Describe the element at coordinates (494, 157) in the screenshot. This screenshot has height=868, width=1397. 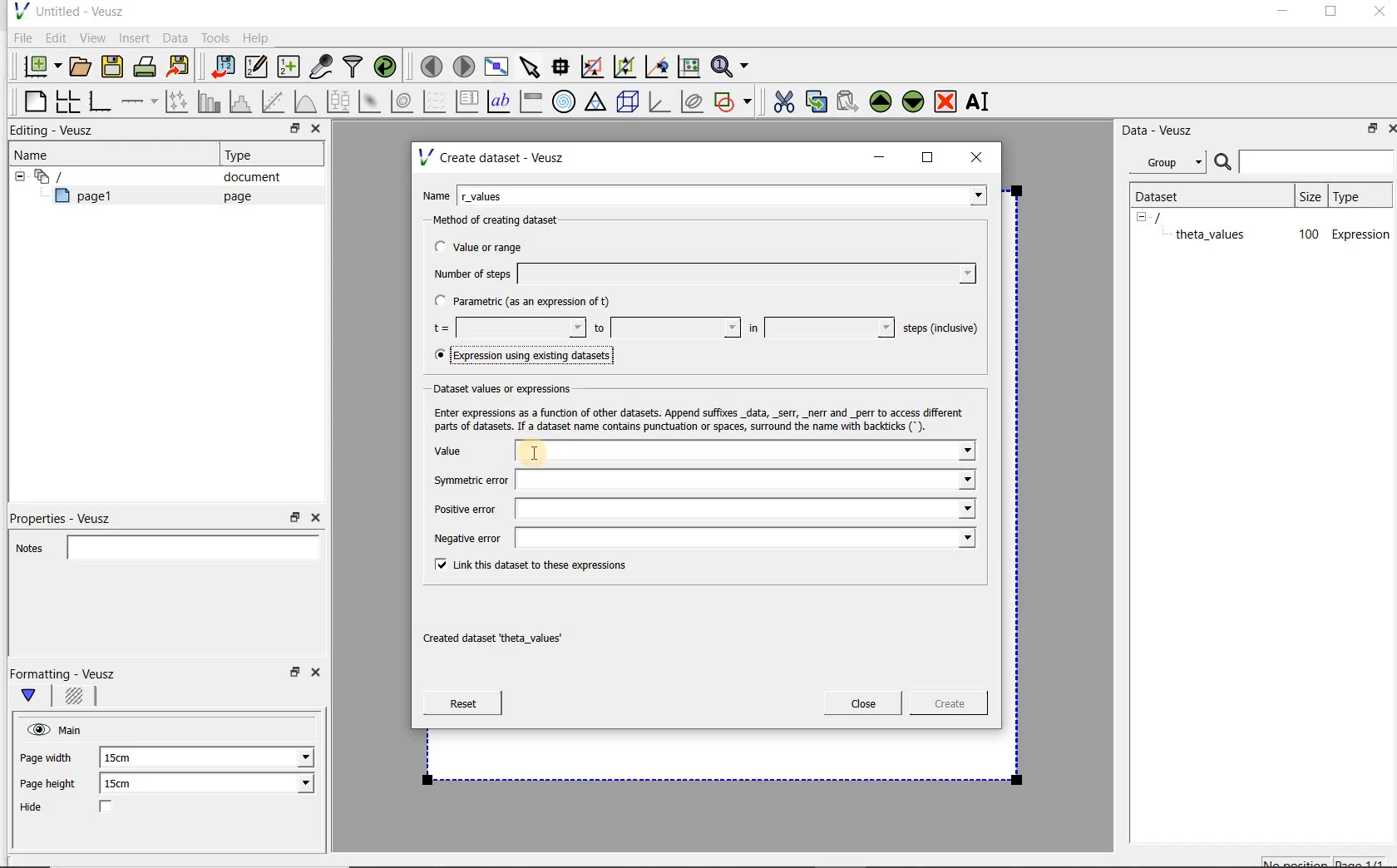
I see `Create dataset - Veusz` at that location.